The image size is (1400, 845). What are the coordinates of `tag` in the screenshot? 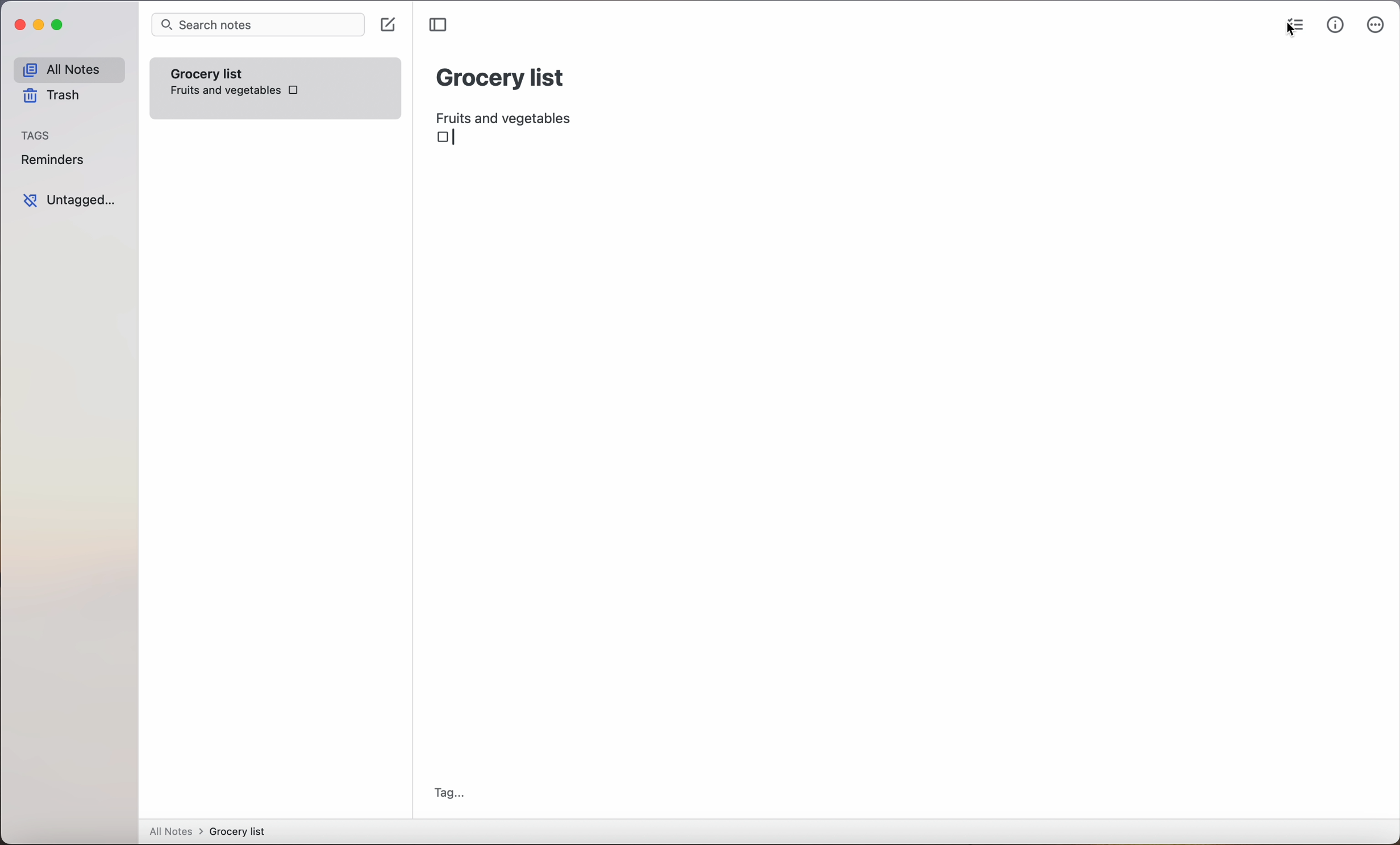 It's located at (449, 793).